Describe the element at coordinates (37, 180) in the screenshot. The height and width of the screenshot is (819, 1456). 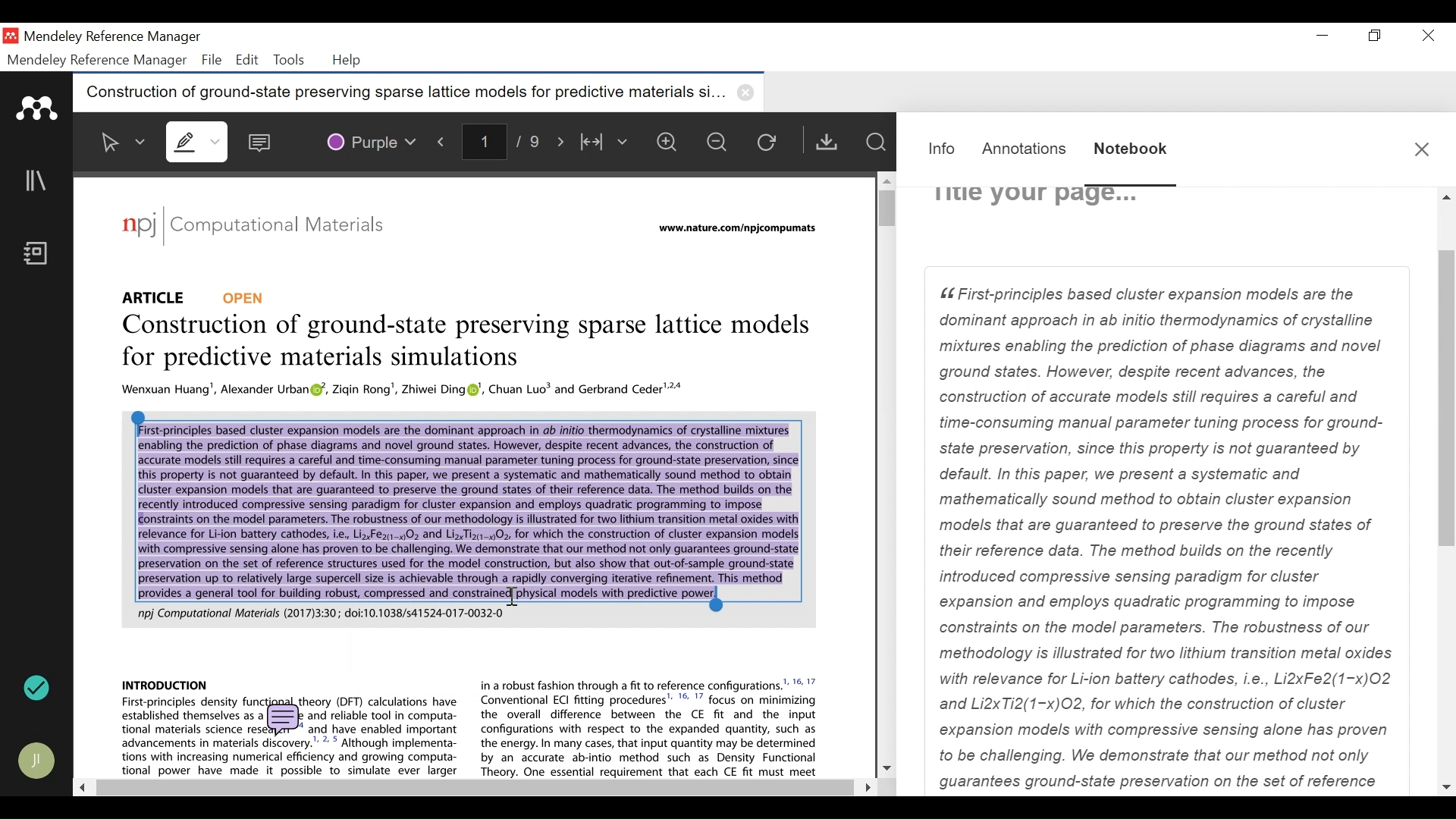
I see `Library` at that location.